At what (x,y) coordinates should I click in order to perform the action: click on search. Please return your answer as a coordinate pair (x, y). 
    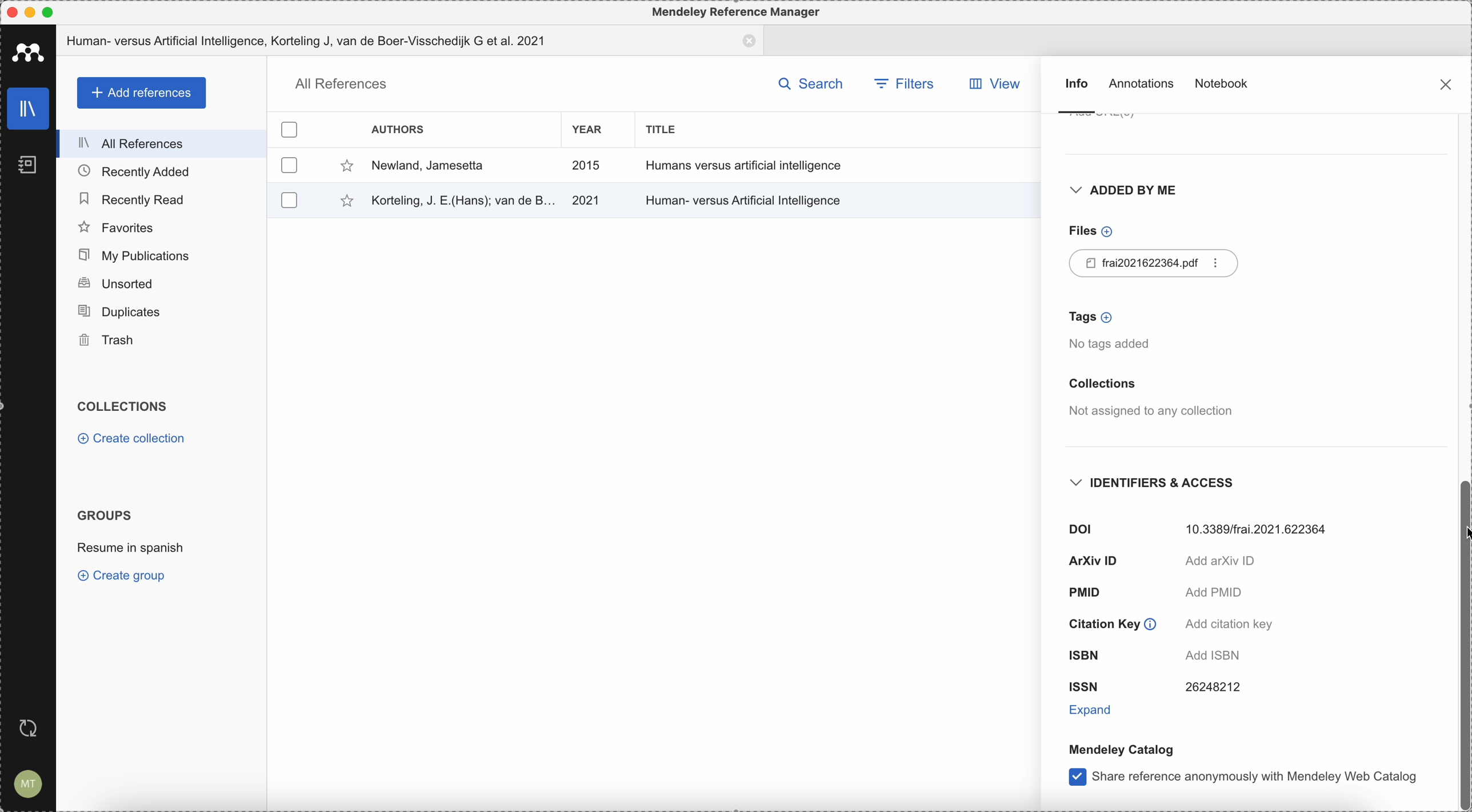
    Looking at the image, I should click on (811, 82).